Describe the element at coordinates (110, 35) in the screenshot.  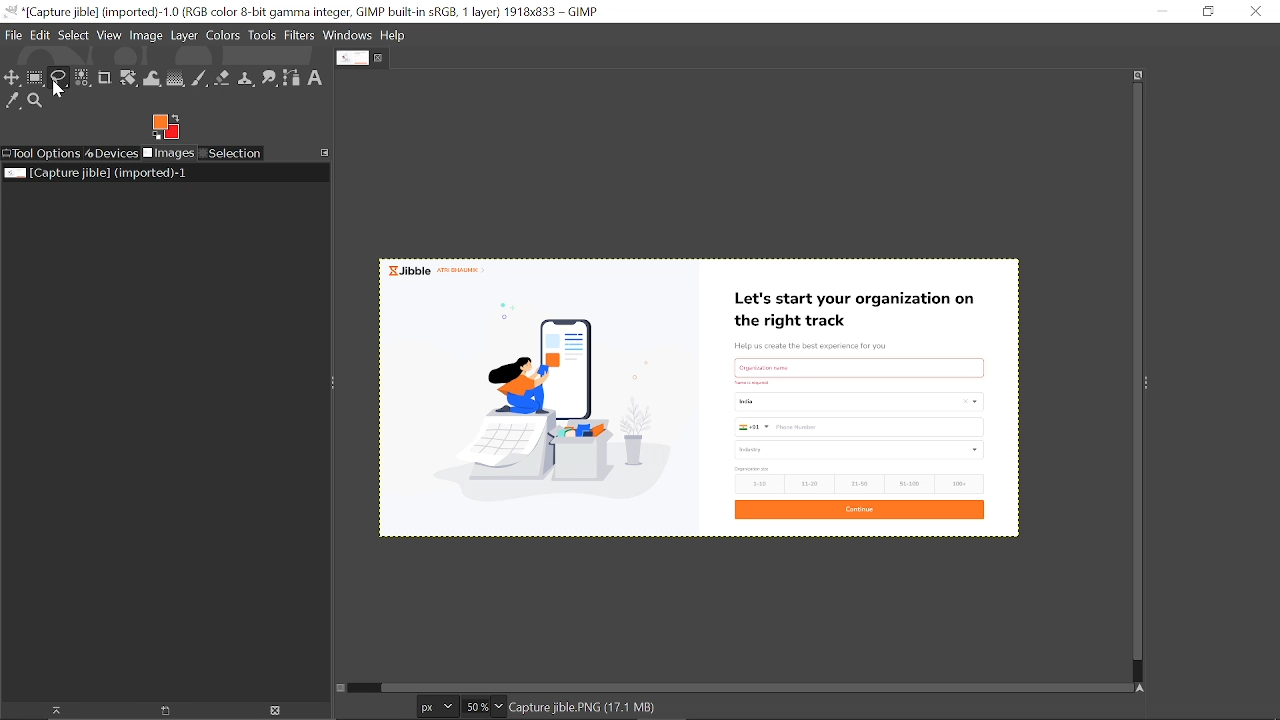
I see `View` at that location.